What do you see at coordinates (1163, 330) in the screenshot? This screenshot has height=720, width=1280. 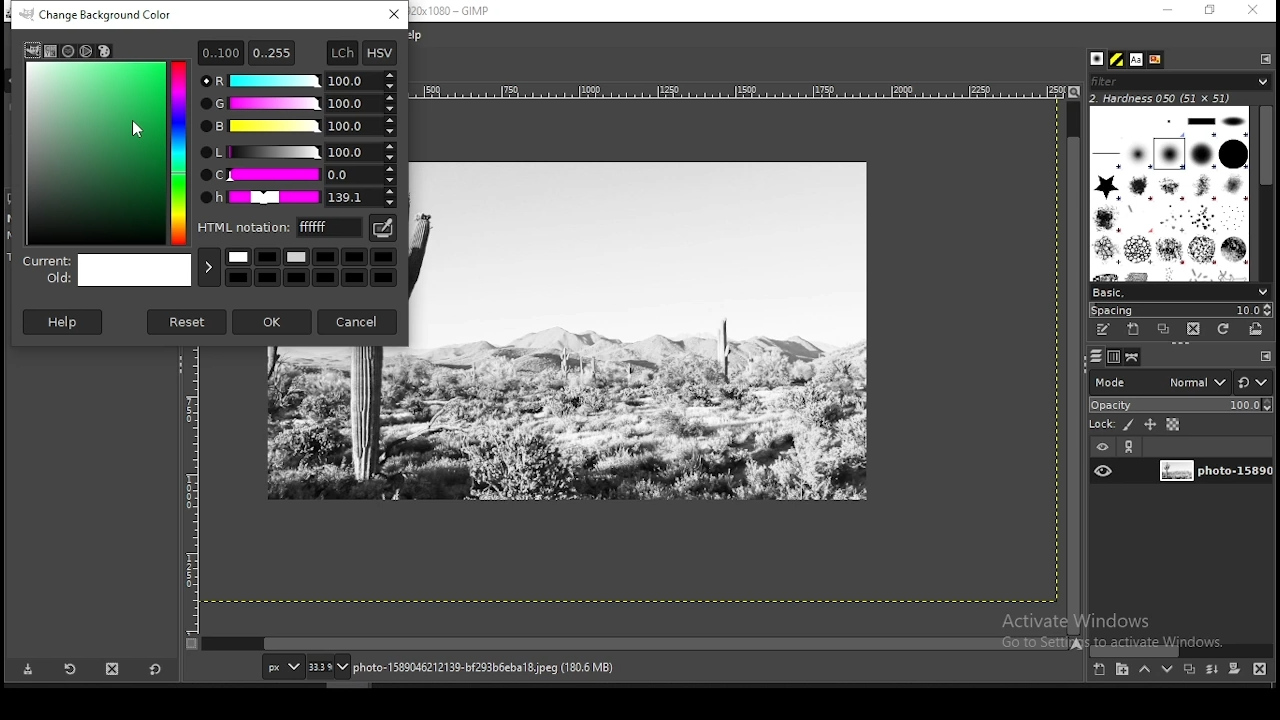 I see `duplicate brush` at bounding box center [1163, 330].